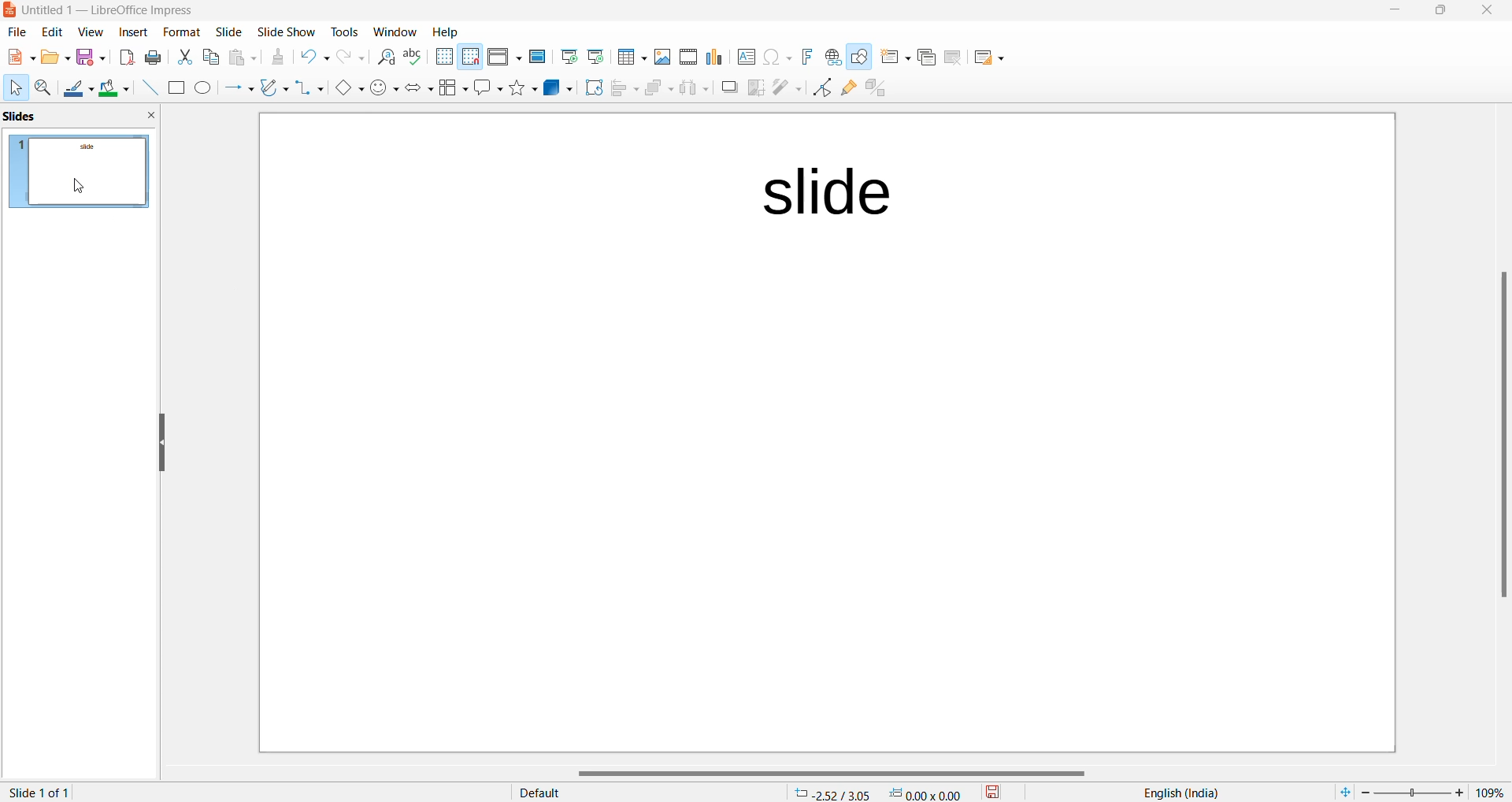  I want to click on undo, so click(317, 59).